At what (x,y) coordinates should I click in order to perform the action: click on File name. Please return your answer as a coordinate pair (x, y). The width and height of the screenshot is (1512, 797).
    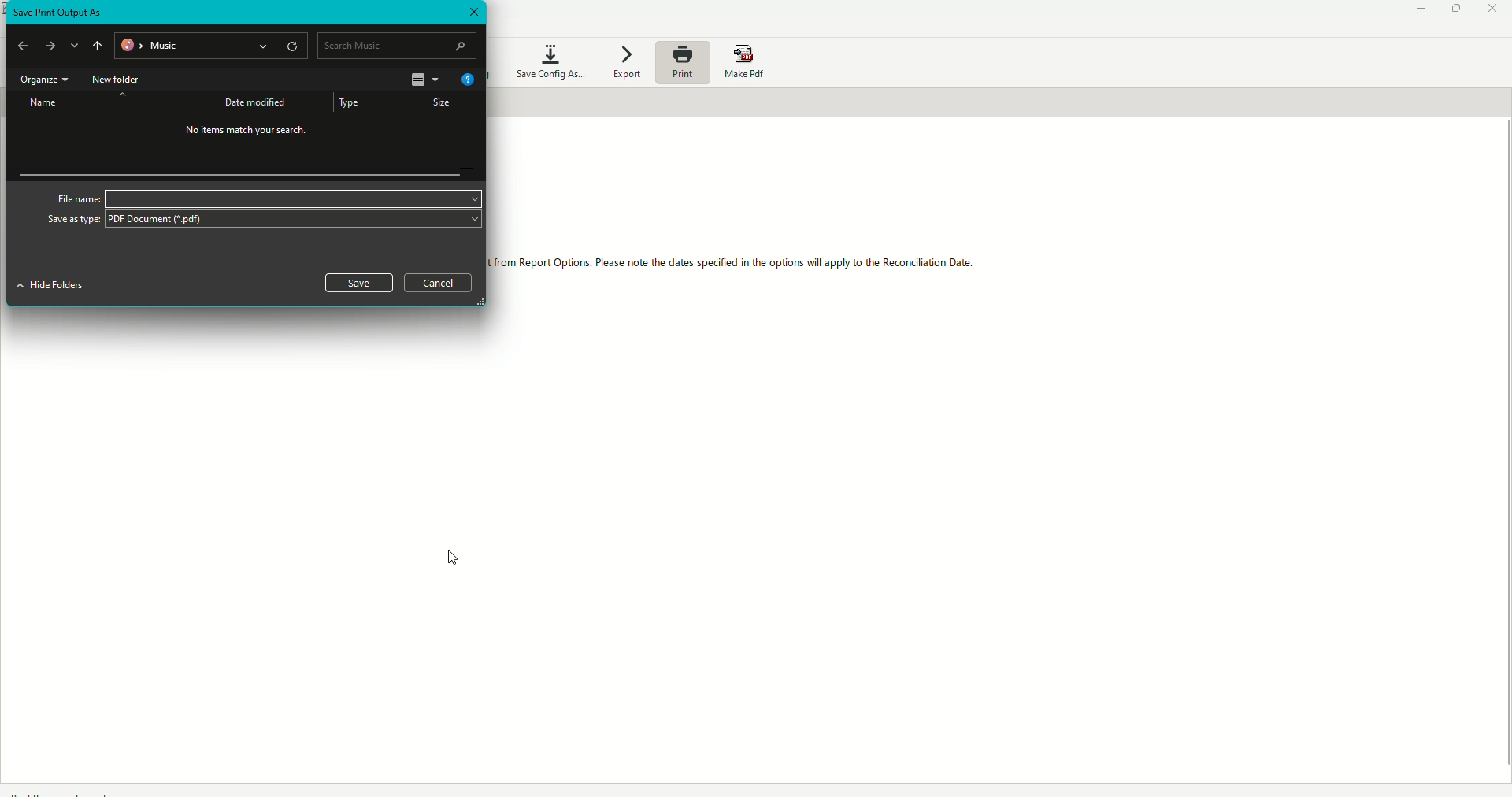
    Looking at the image, I should click on (264, 197).